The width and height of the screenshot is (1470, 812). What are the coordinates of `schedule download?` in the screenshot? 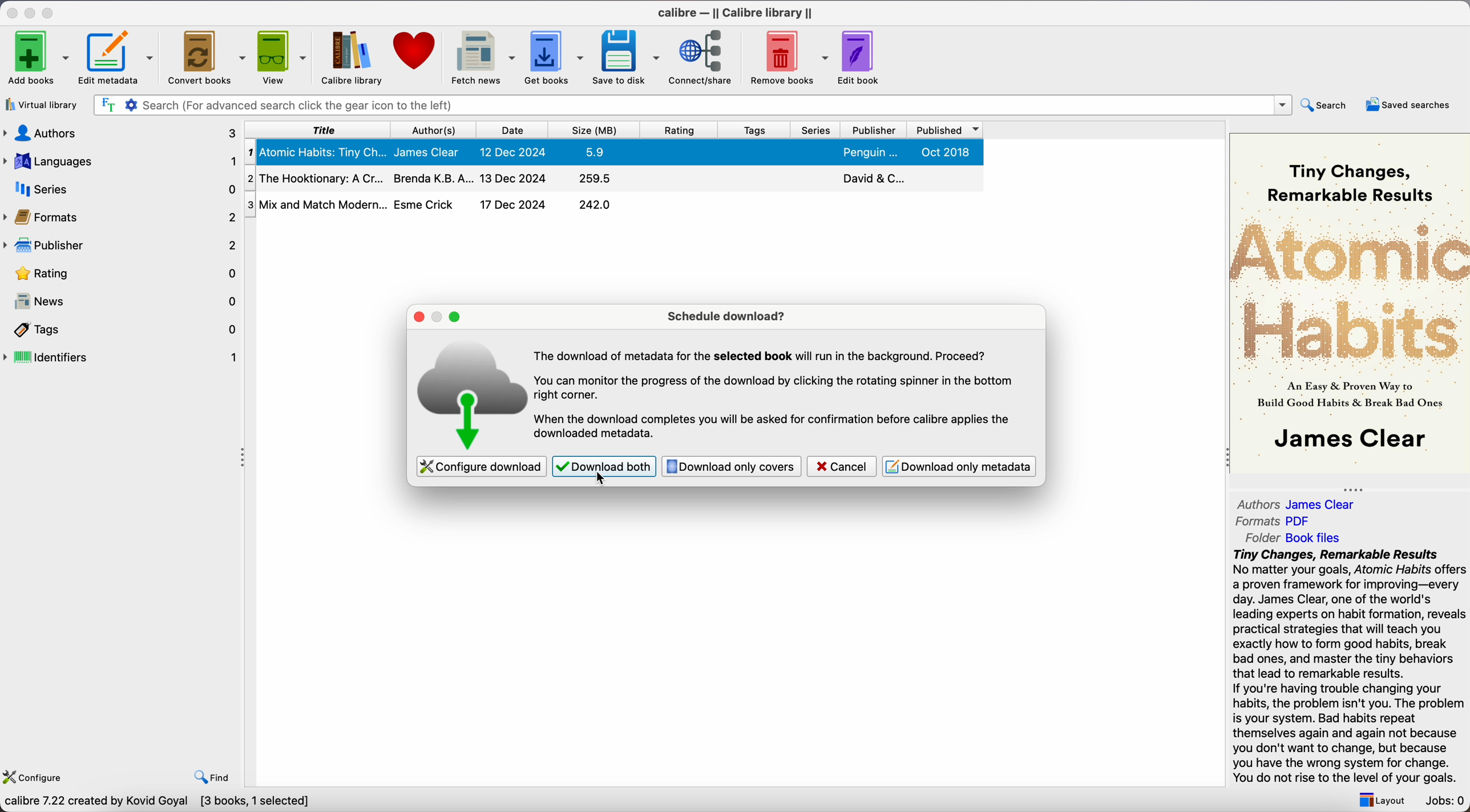 It's located at (726, 316).